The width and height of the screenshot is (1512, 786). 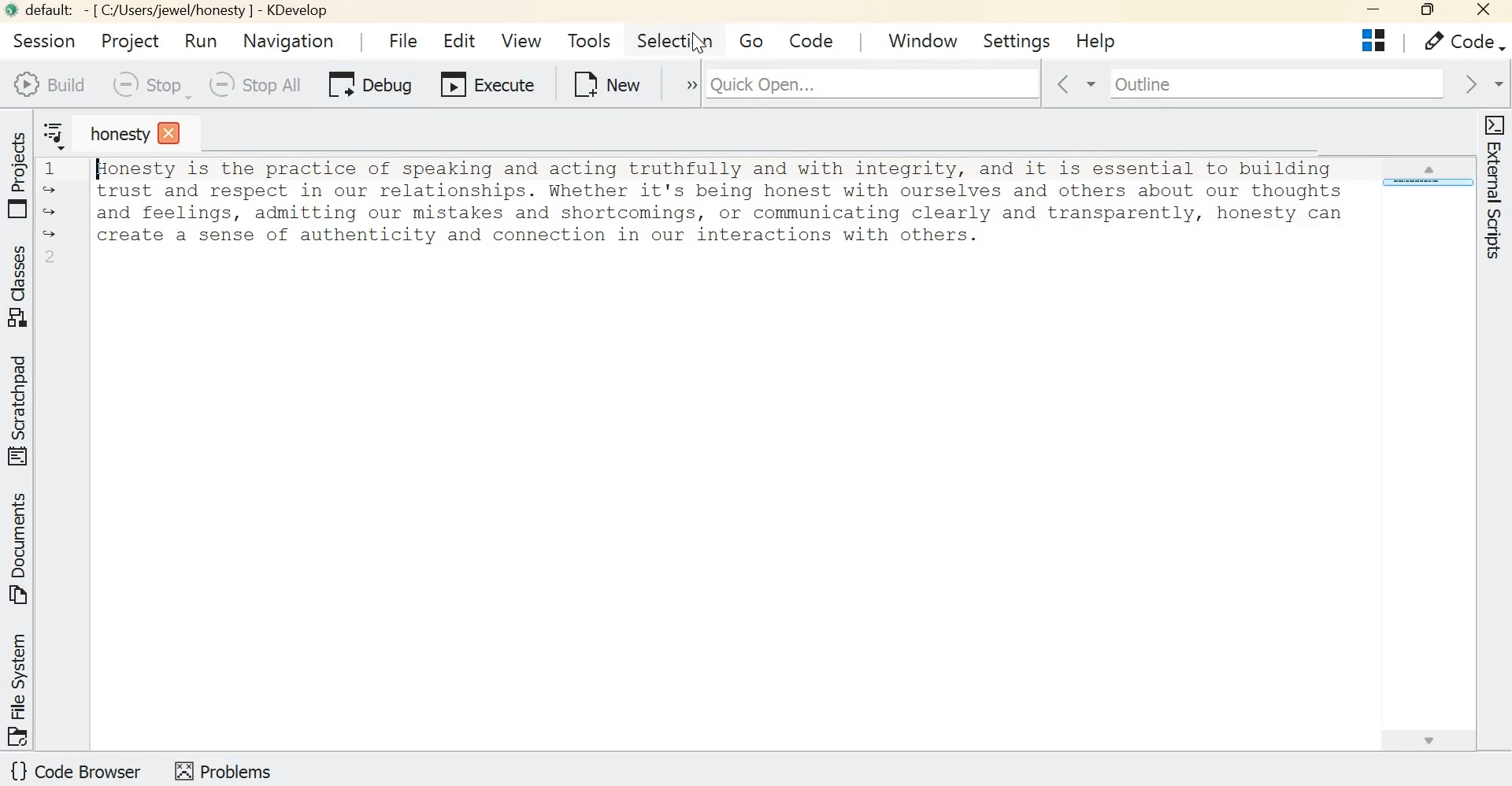 I want to click on Run, so click(x=204, y=41).